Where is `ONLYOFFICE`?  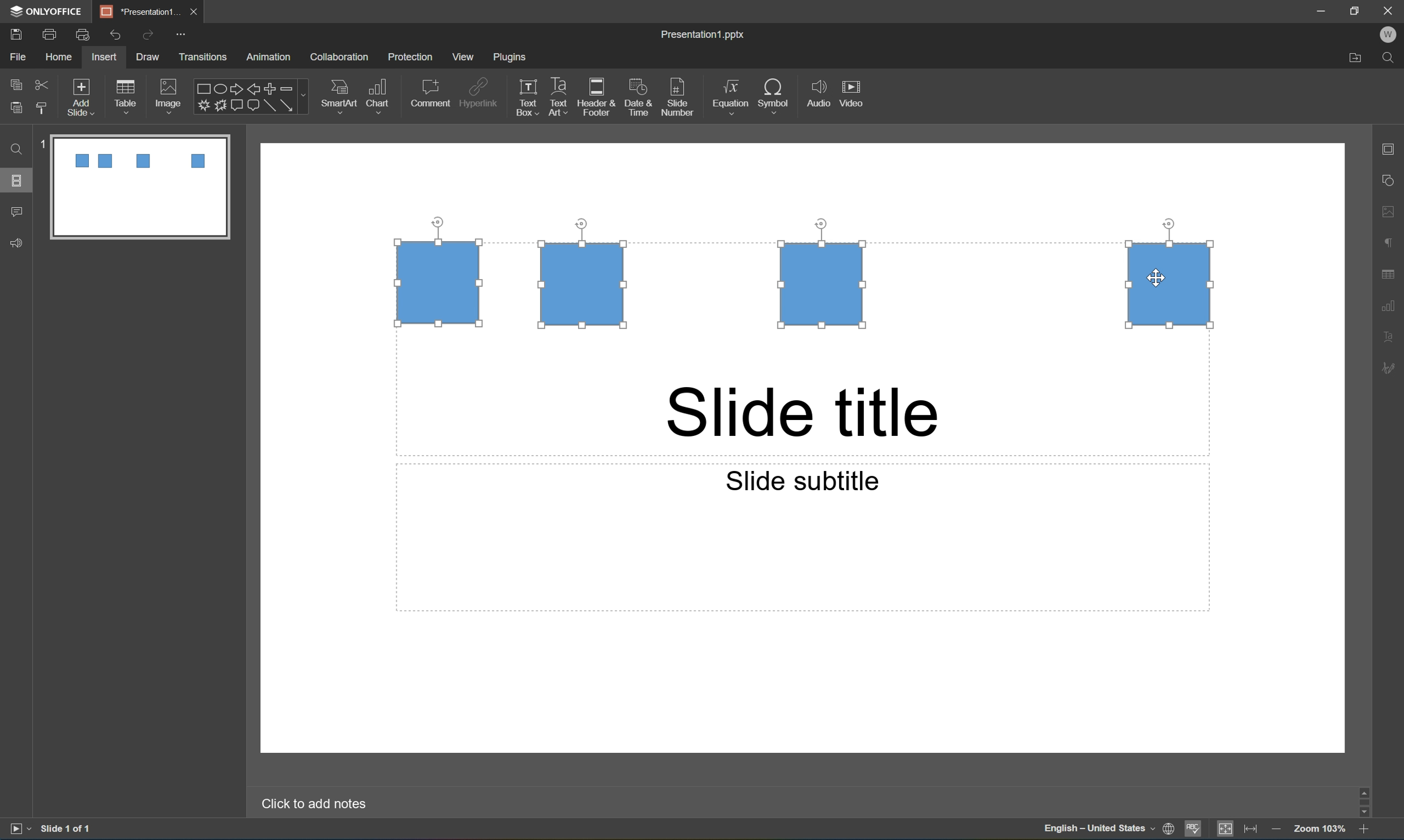
ONLYOFFICE is located at coordinates (48, 10).